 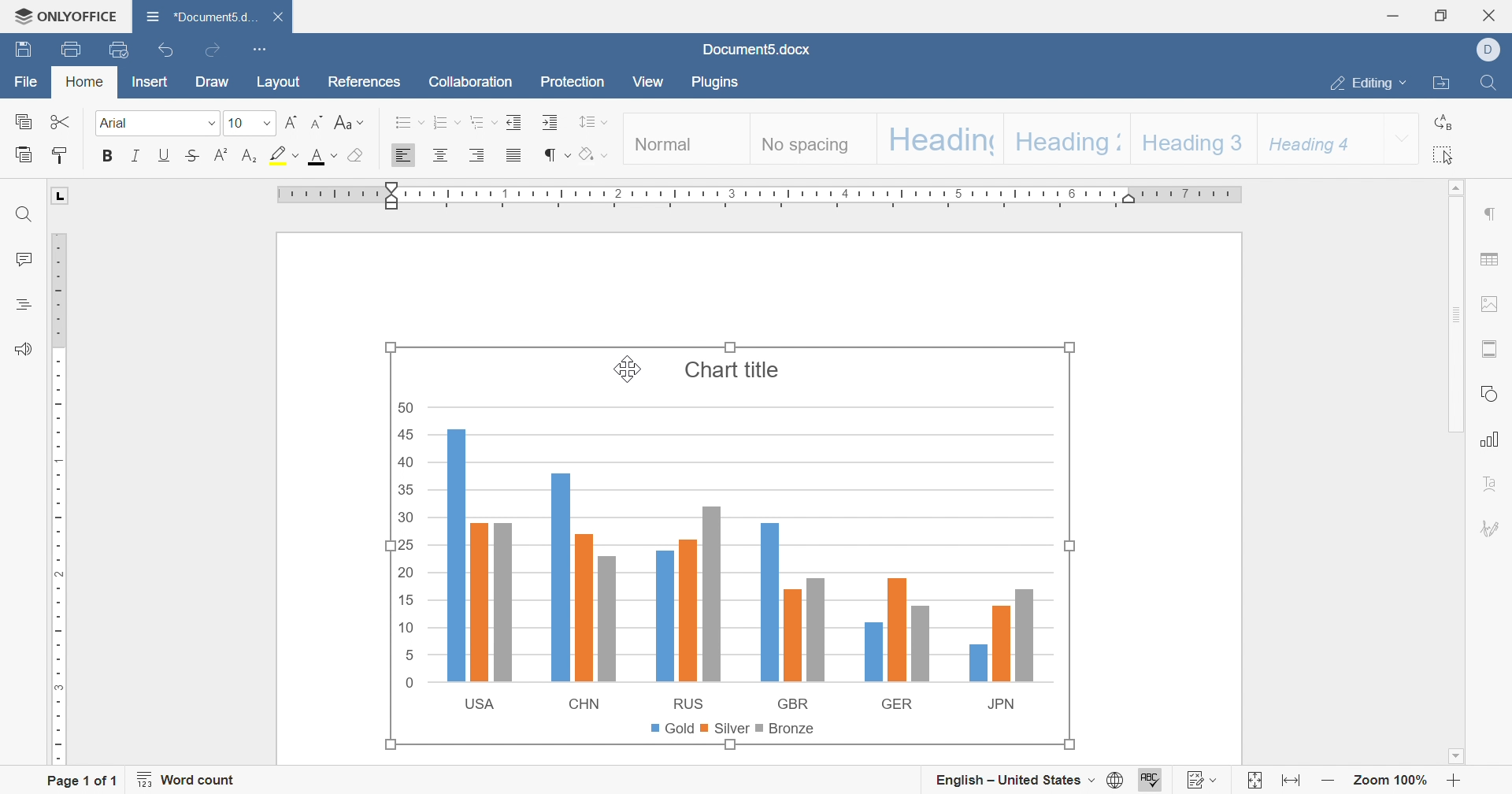 What do you see at coordinates (221, 155) in the screenshot?
I see `superscript` at bounding box center [221, 155].